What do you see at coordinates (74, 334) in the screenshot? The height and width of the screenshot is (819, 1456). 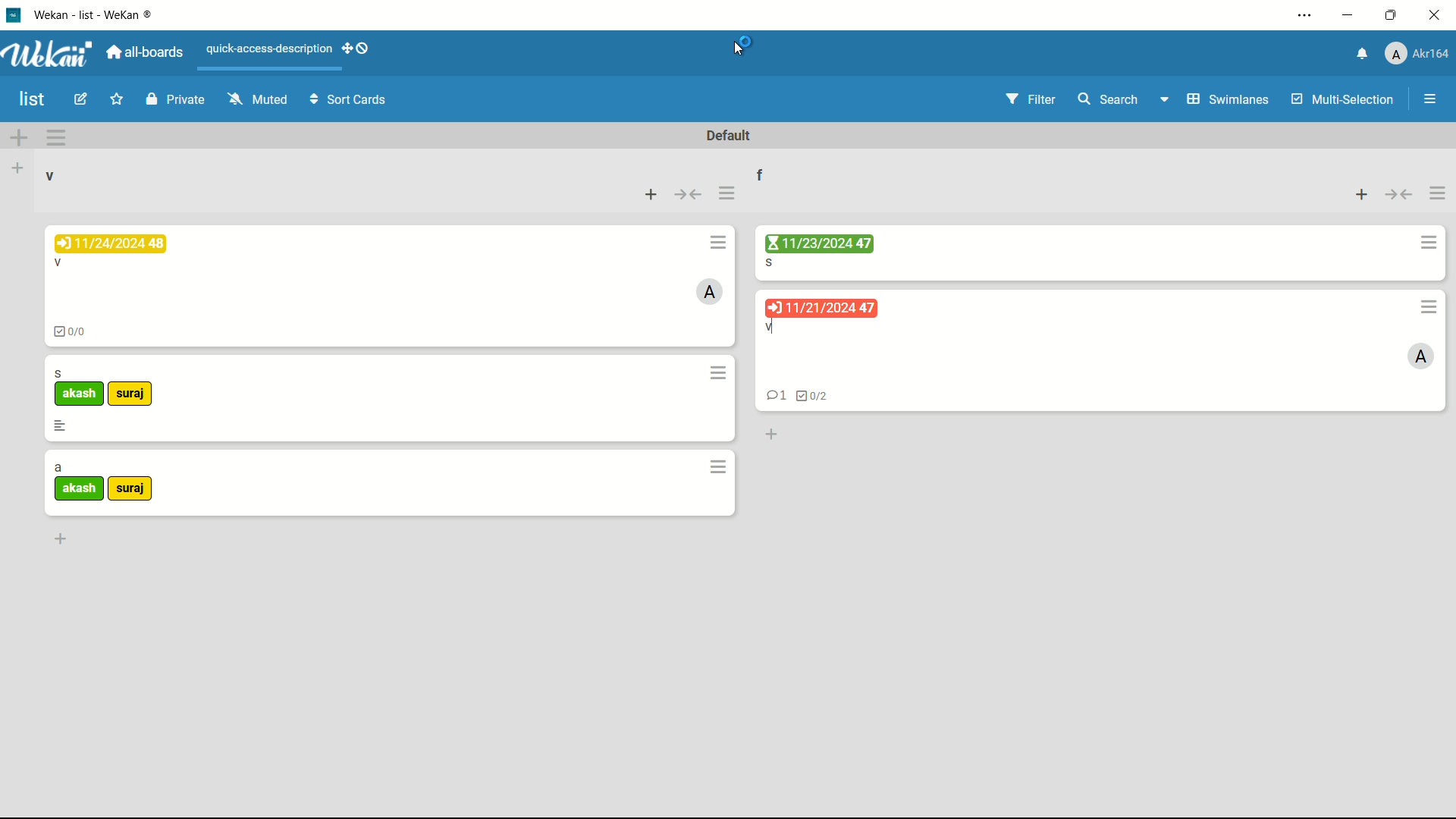 I see `checklist` at bounding box center [74, 334].